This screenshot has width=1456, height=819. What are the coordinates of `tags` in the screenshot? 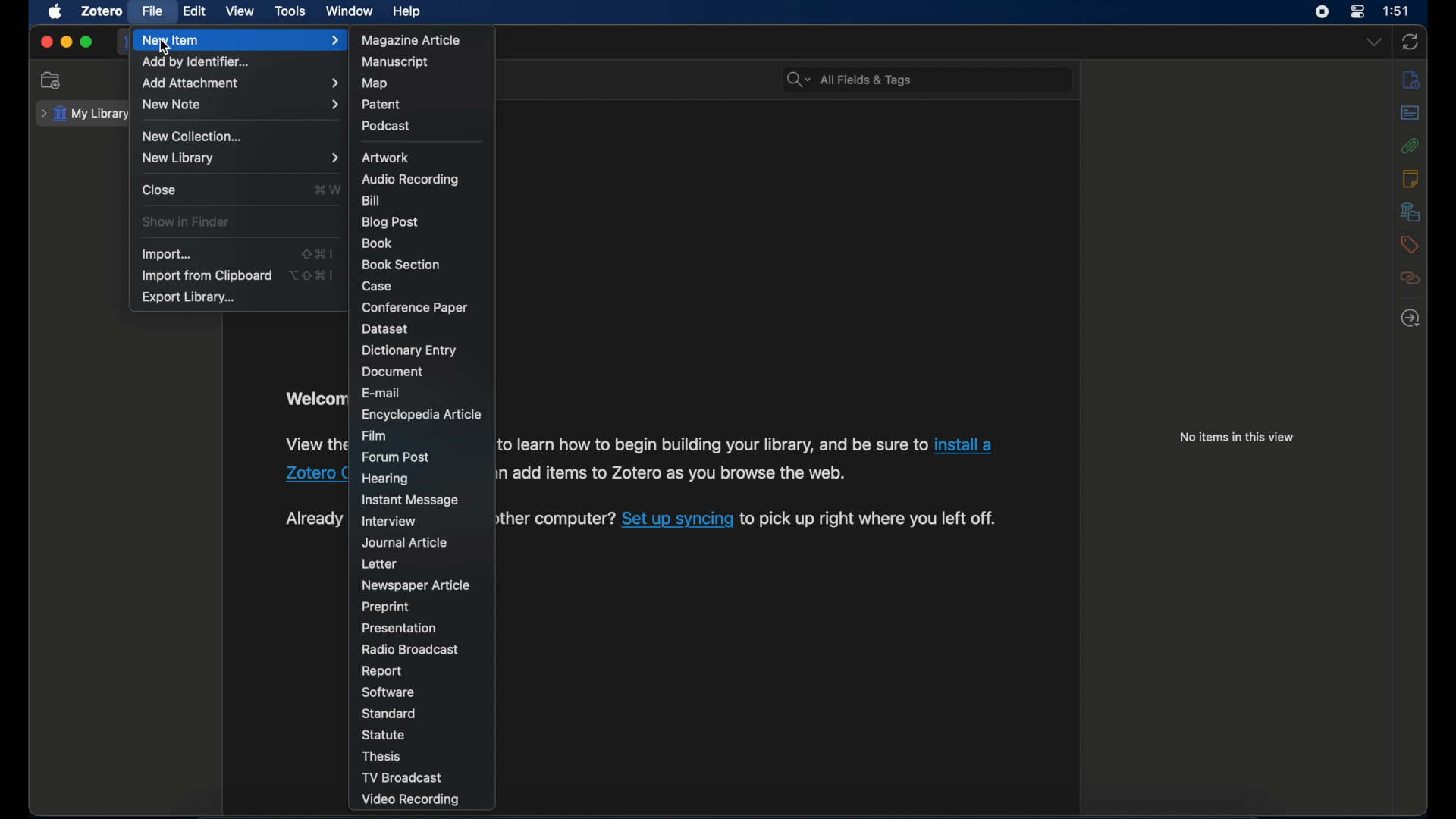 It's located at (1407, 245).